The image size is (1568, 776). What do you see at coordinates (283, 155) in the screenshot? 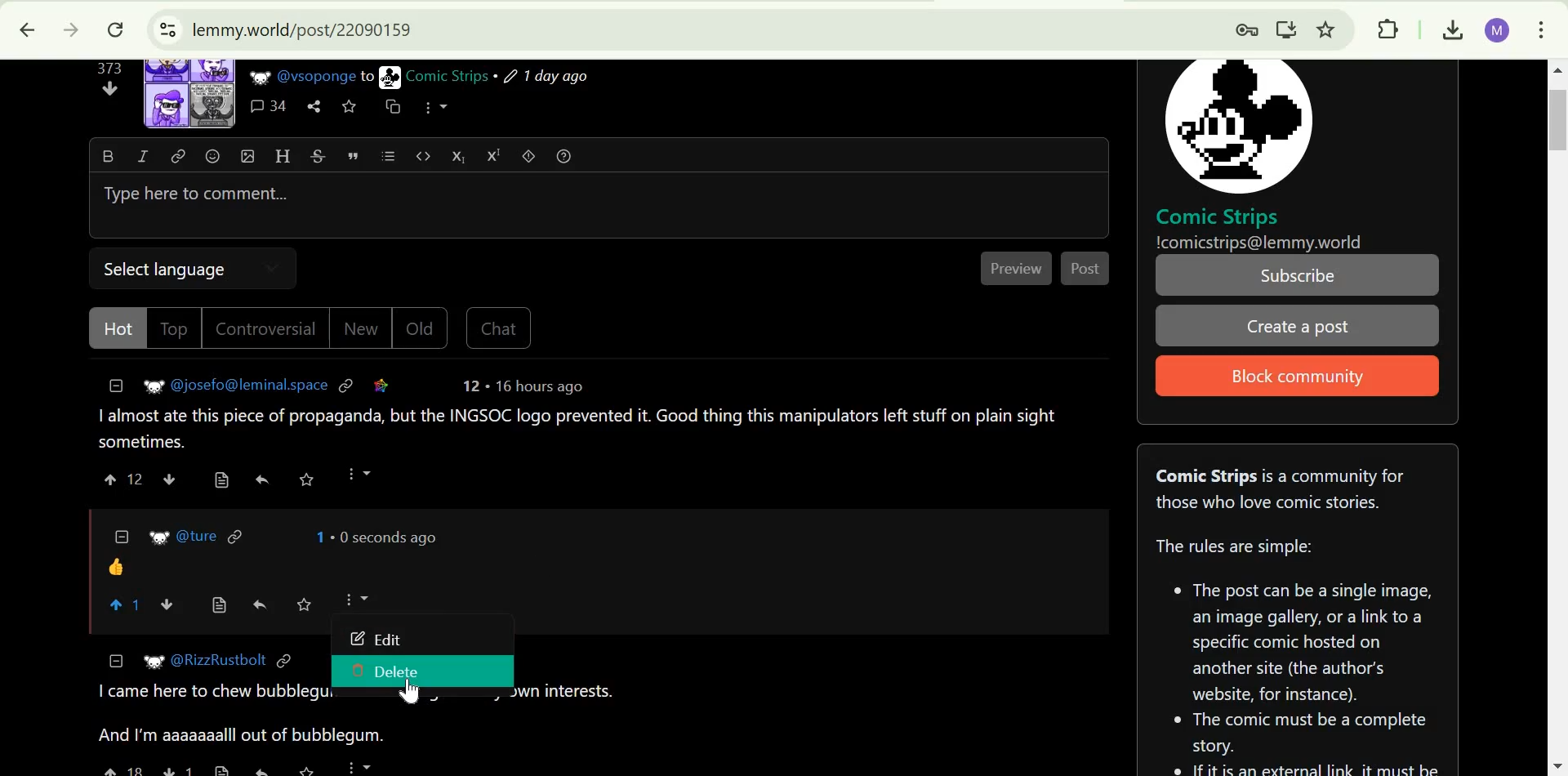
I see `header` at bounding box center [283, 155].